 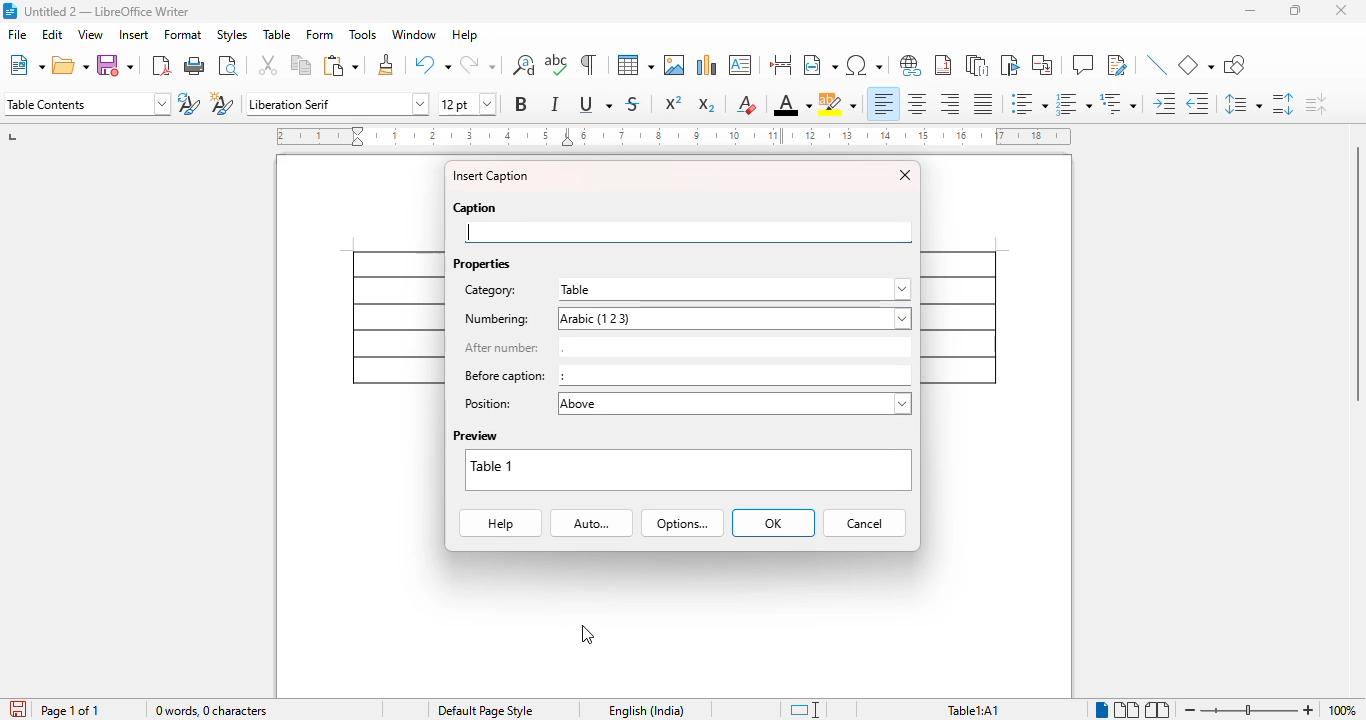 I want to click on insert special characters, so click(x=865, y=65).